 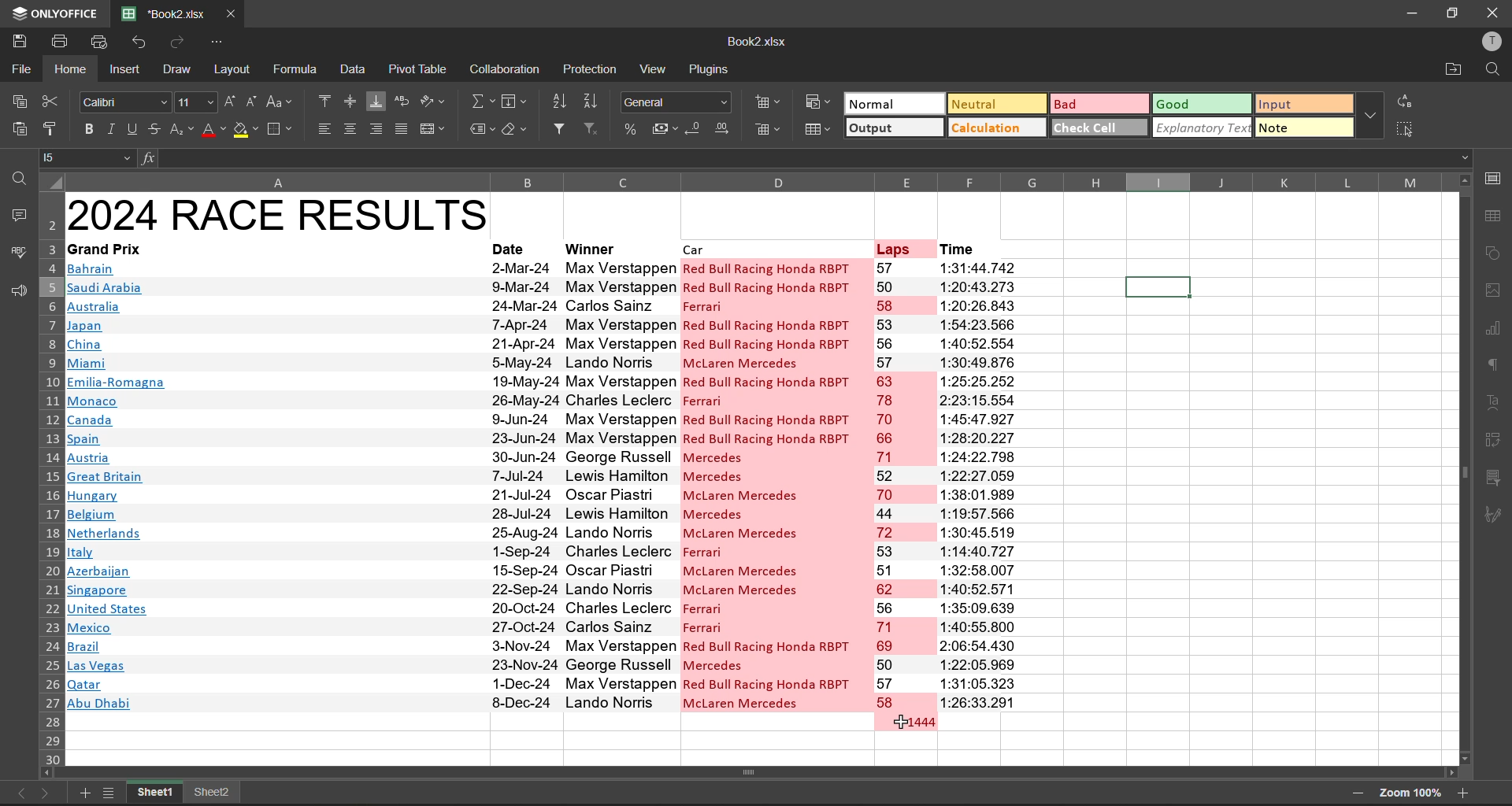 I want to click on save, so click(x=20, y=41).